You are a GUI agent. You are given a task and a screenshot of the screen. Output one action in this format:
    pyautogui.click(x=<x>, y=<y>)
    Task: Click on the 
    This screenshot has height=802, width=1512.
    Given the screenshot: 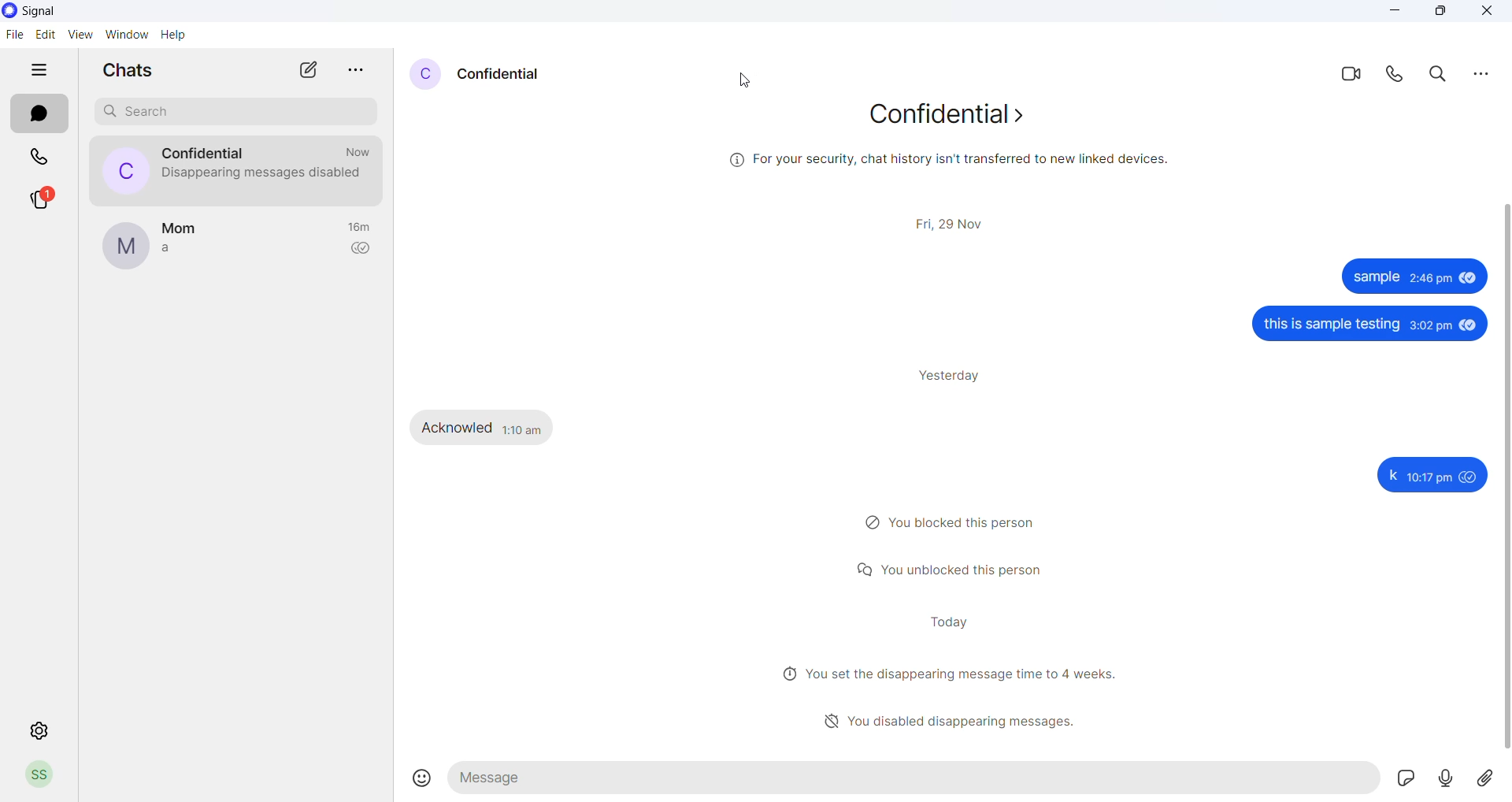 What is the action you would take?
    pyautogui.click(x=951, y=674)
    